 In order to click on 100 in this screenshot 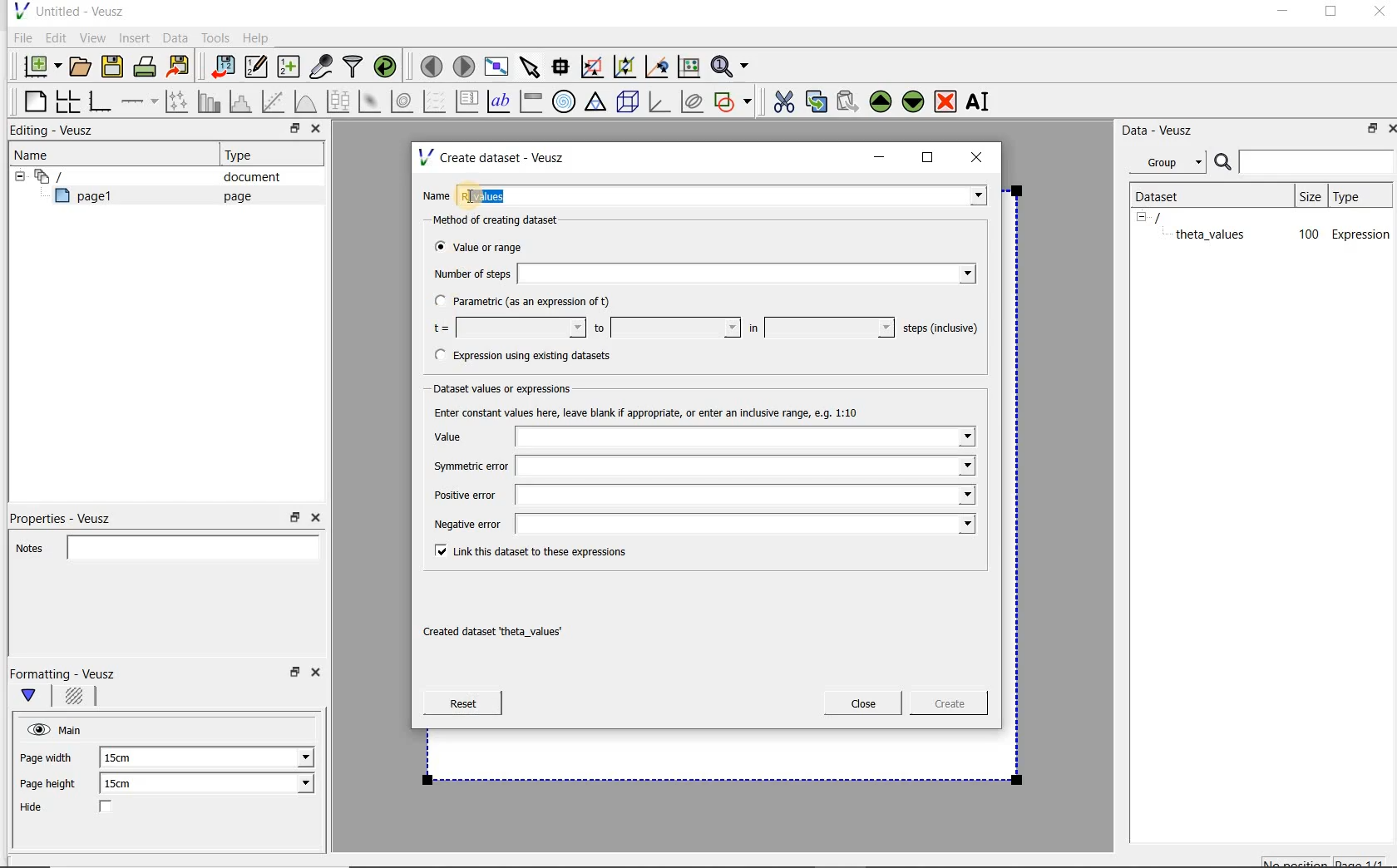, I will do `click(1307, 235)`.